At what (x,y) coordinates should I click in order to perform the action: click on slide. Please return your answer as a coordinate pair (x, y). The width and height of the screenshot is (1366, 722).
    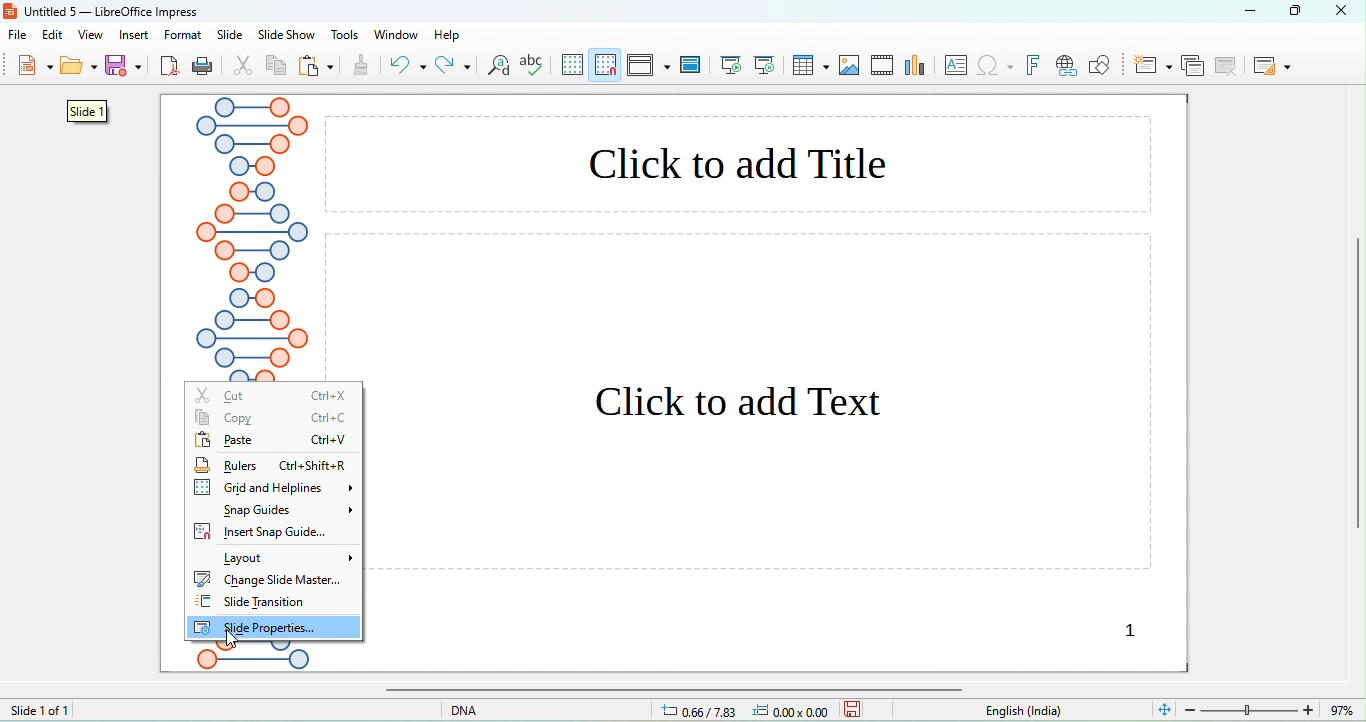
    Looking at the image, I should click on (230, 35).